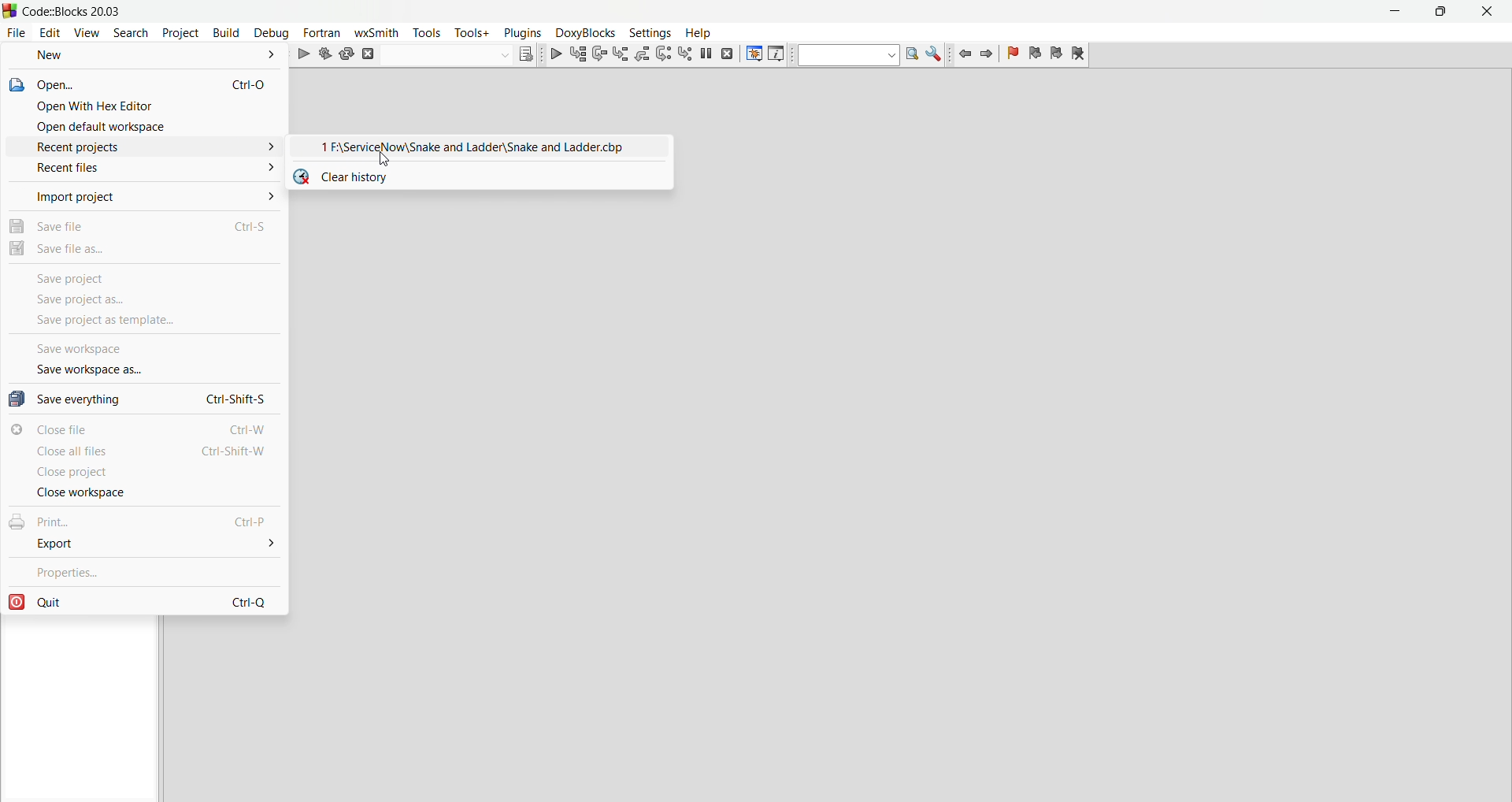 The width and height of the screenshot is (1512, 802). I want to click on next bookmark, so click(1056, 54).